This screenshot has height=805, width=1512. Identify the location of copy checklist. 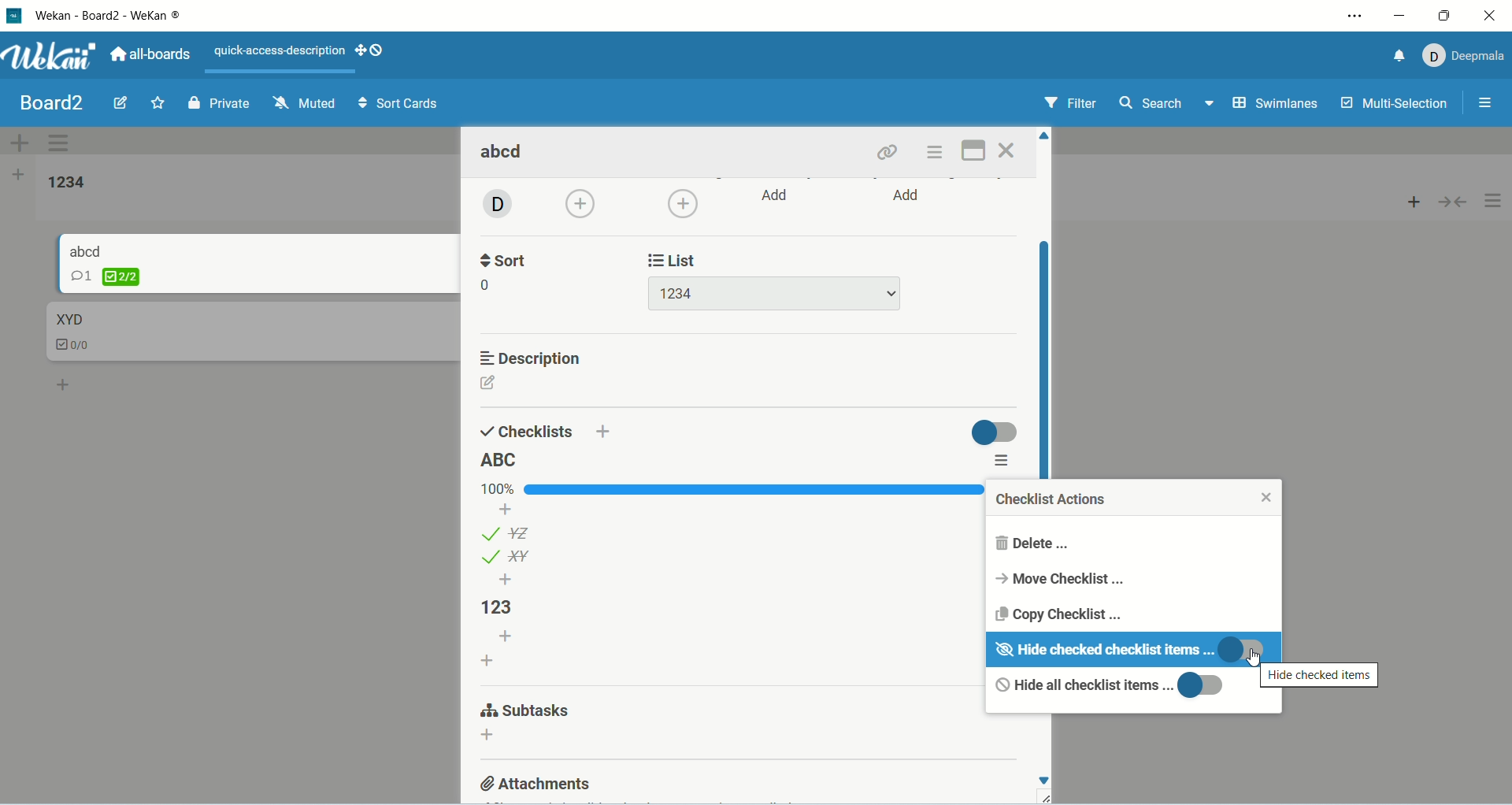
(1062, 614).